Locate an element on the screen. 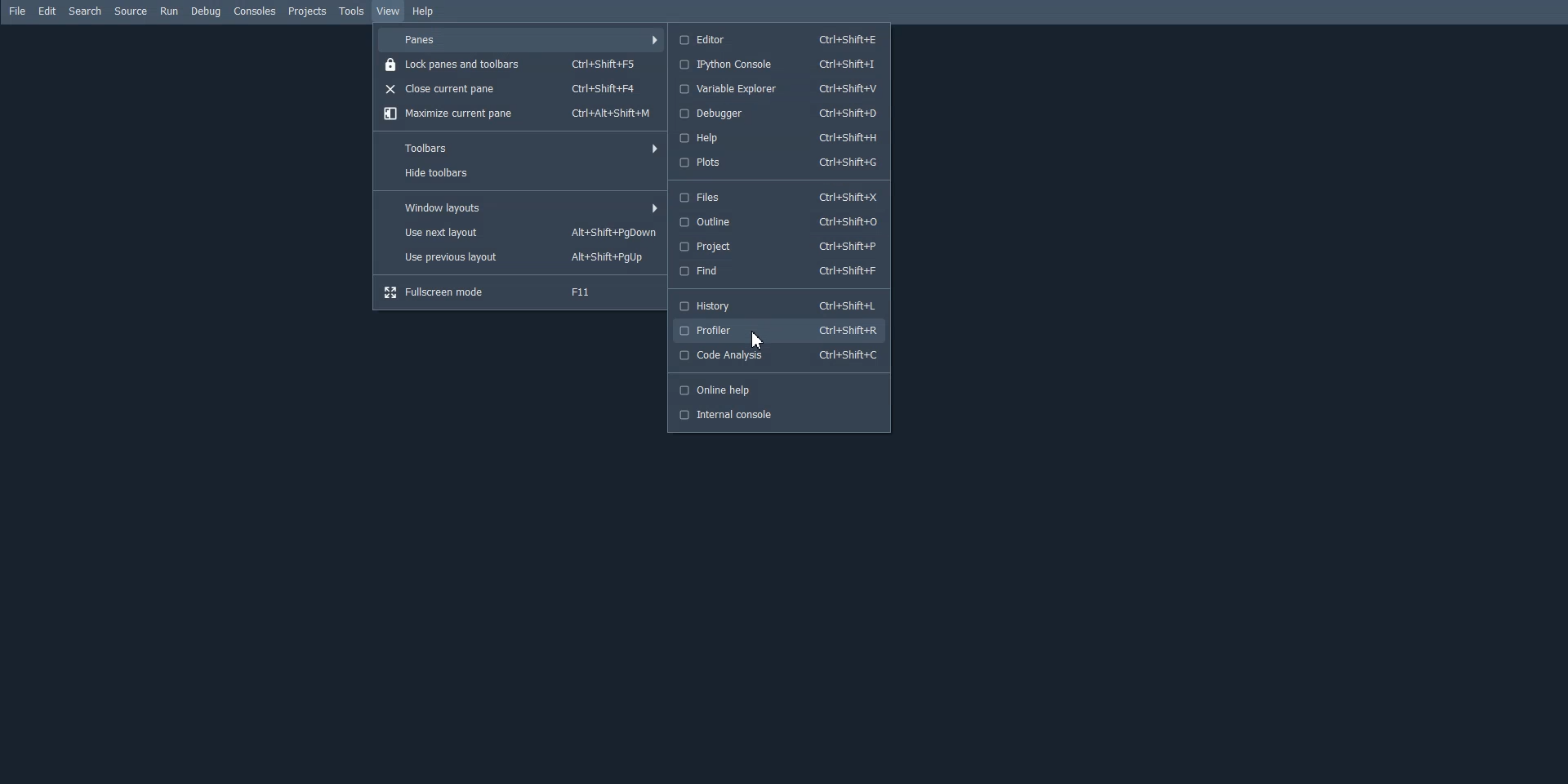  Internal console is located at coordinates (779, 416).